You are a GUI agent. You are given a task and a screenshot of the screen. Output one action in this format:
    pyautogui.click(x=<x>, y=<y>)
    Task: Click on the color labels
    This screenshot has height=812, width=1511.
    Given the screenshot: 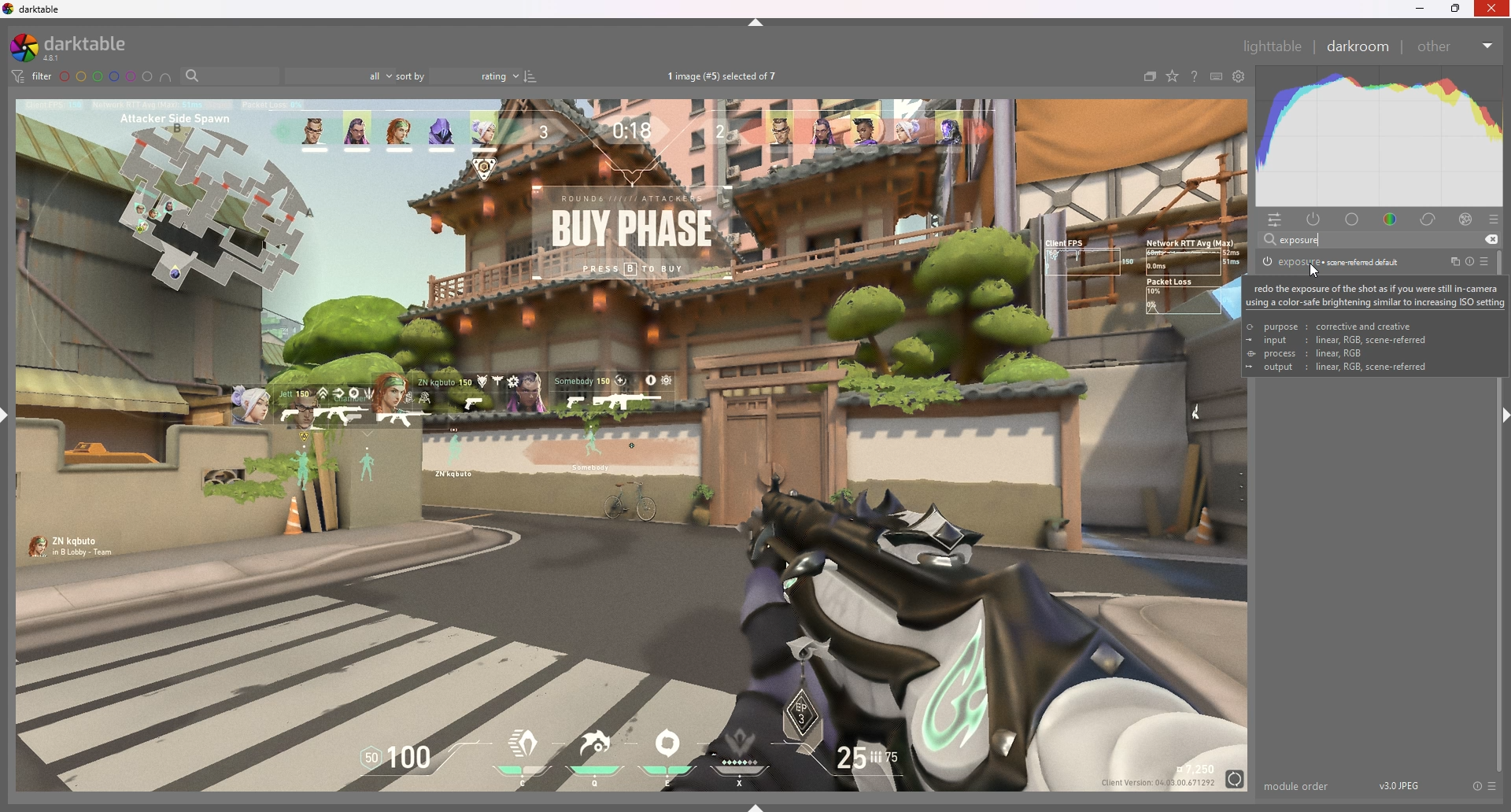 What is the action you would take?
    pyautogui.click(x=106, y=77)
    